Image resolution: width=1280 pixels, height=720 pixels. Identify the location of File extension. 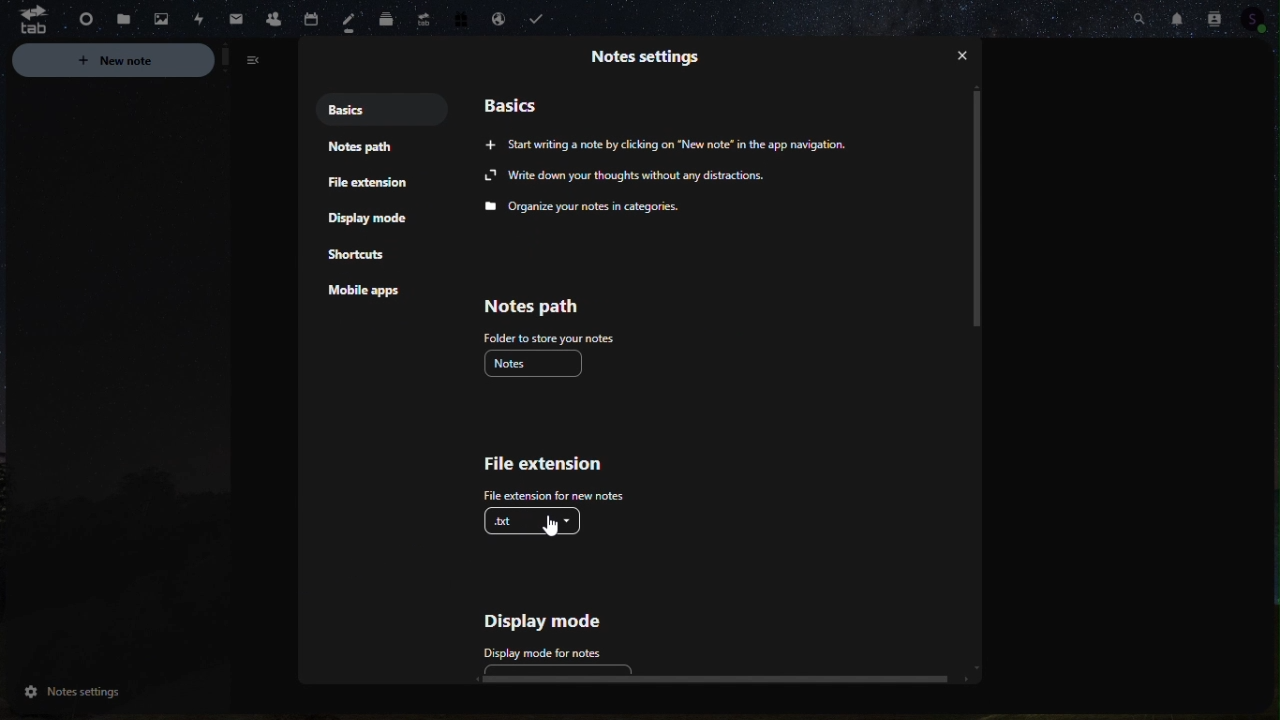
(551, 479).